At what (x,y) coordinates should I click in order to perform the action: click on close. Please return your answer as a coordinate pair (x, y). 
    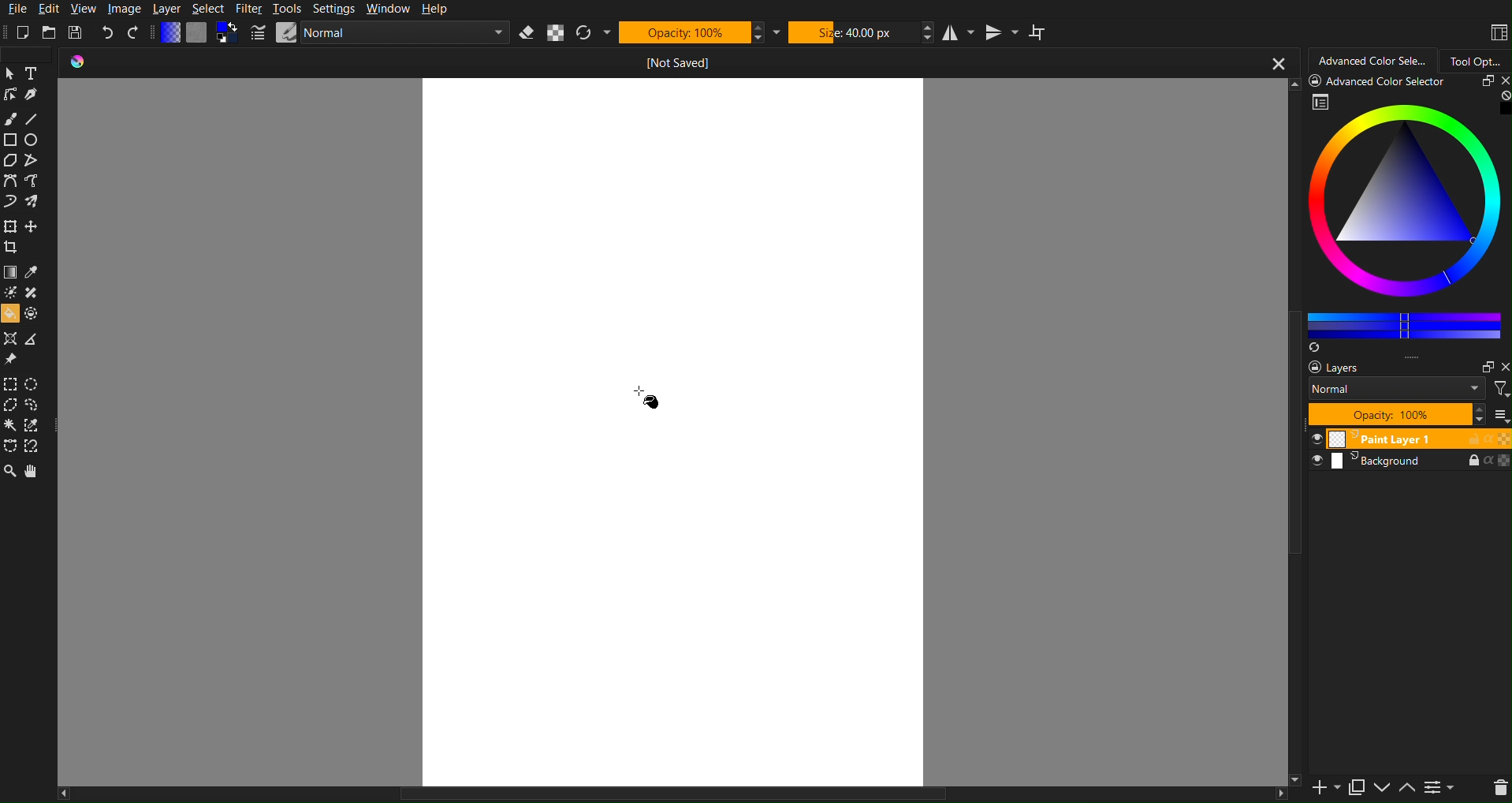
    Looking at the image, I should click on (1500, 80).